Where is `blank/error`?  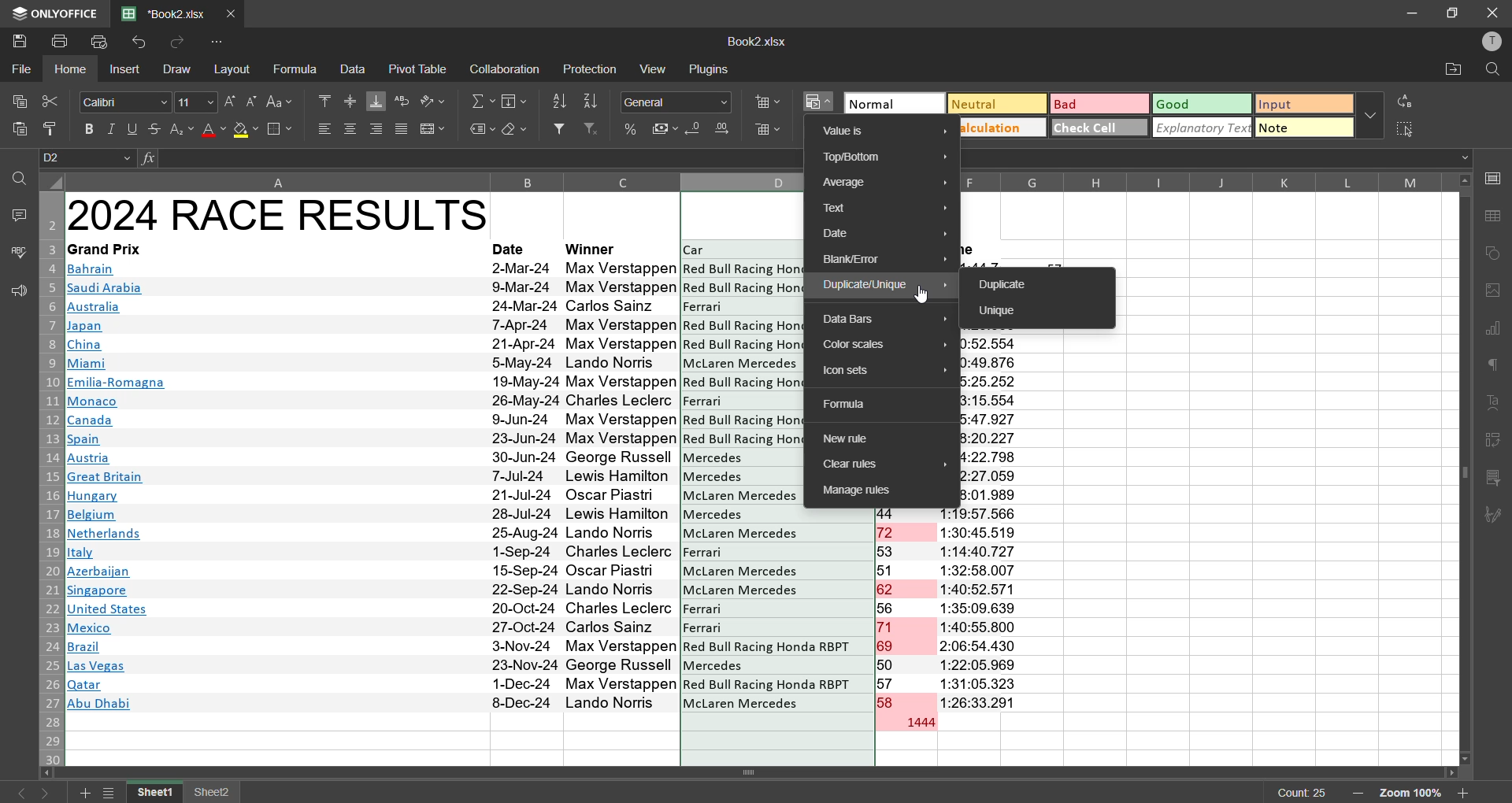
blank/error is located at coordinates (885, 259).